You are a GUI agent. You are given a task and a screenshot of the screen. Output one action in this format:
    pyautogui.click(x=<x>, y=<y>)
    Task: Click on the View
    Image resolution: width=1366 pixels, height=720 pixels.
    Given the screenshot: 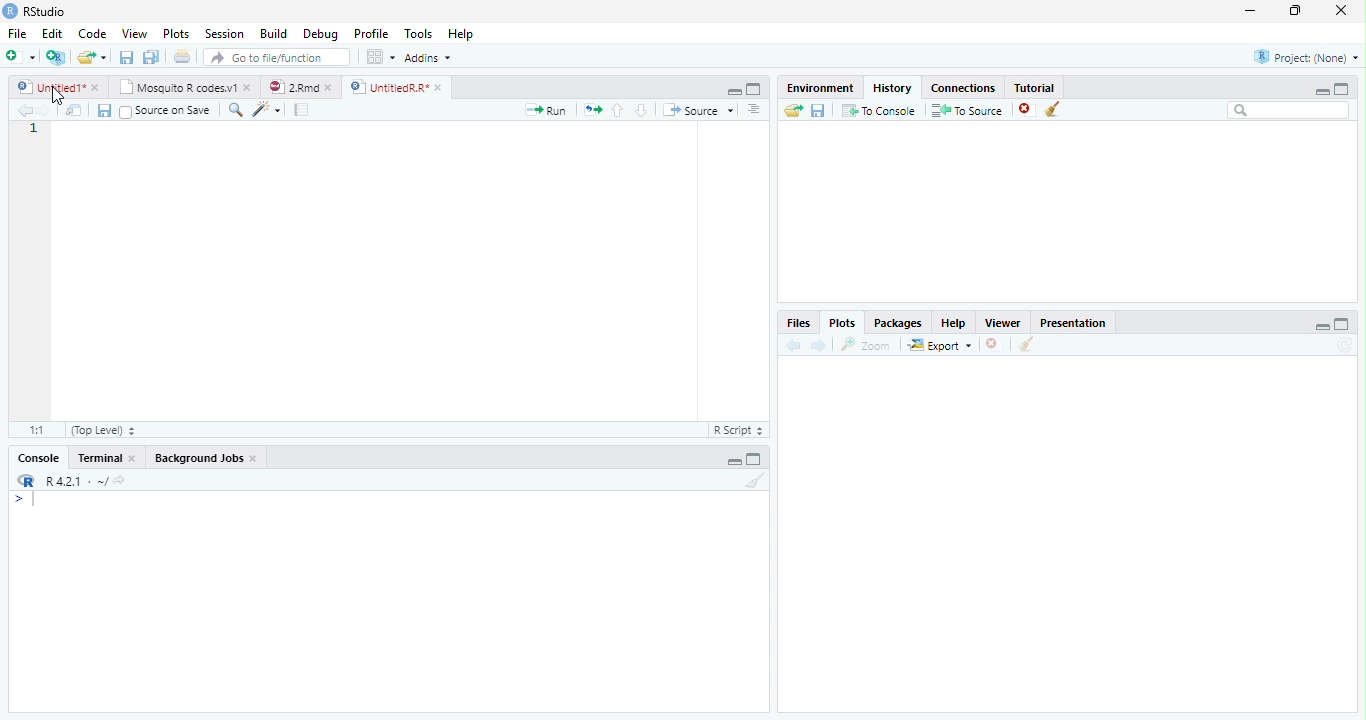 What is the action you would take?
    pyautogui.click(x=134, y=33)
    